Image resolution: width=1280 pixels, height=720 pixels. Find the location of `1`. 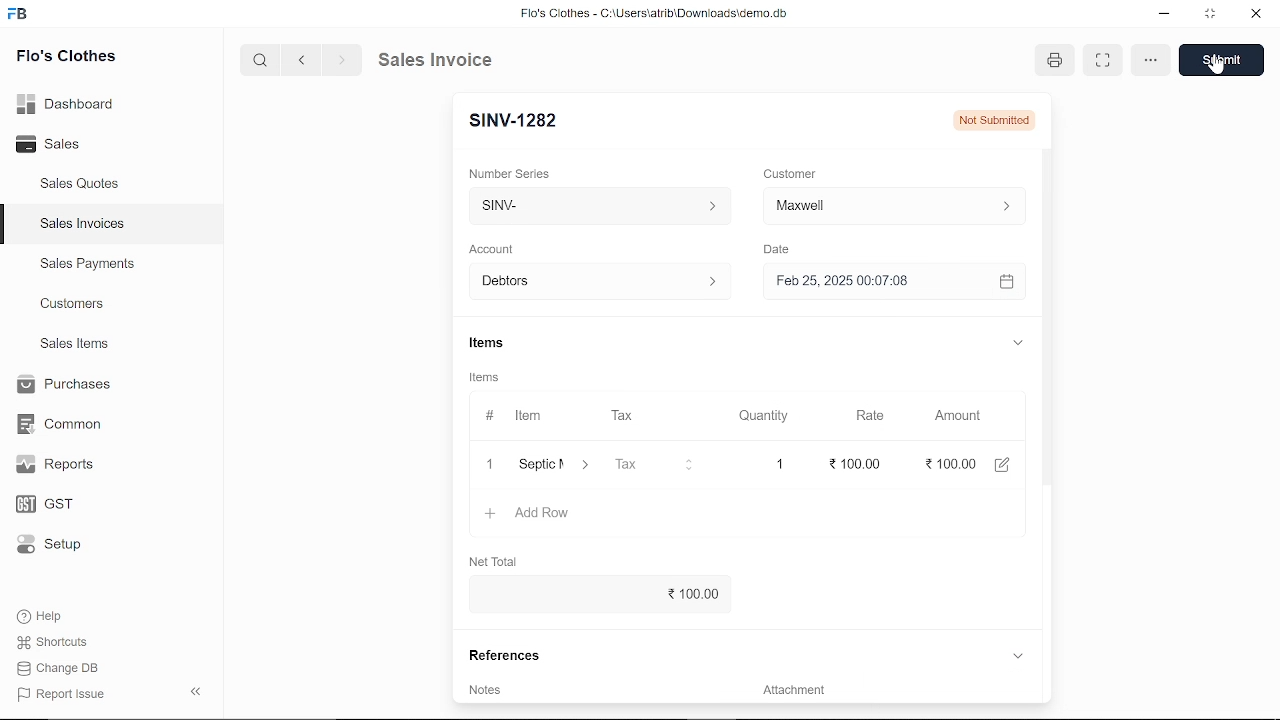

1 is located at coordinates (489, 465).